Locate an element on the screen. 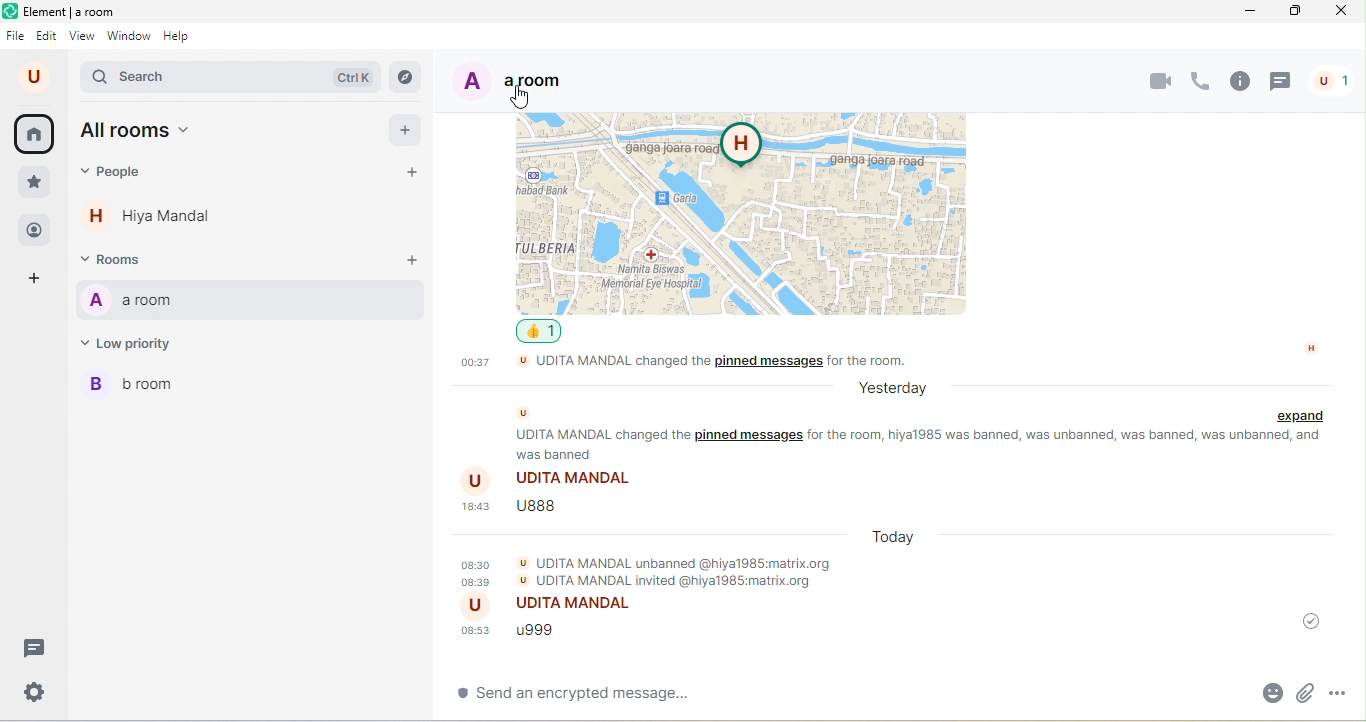  all rooms is located at coordinates (141, 133).